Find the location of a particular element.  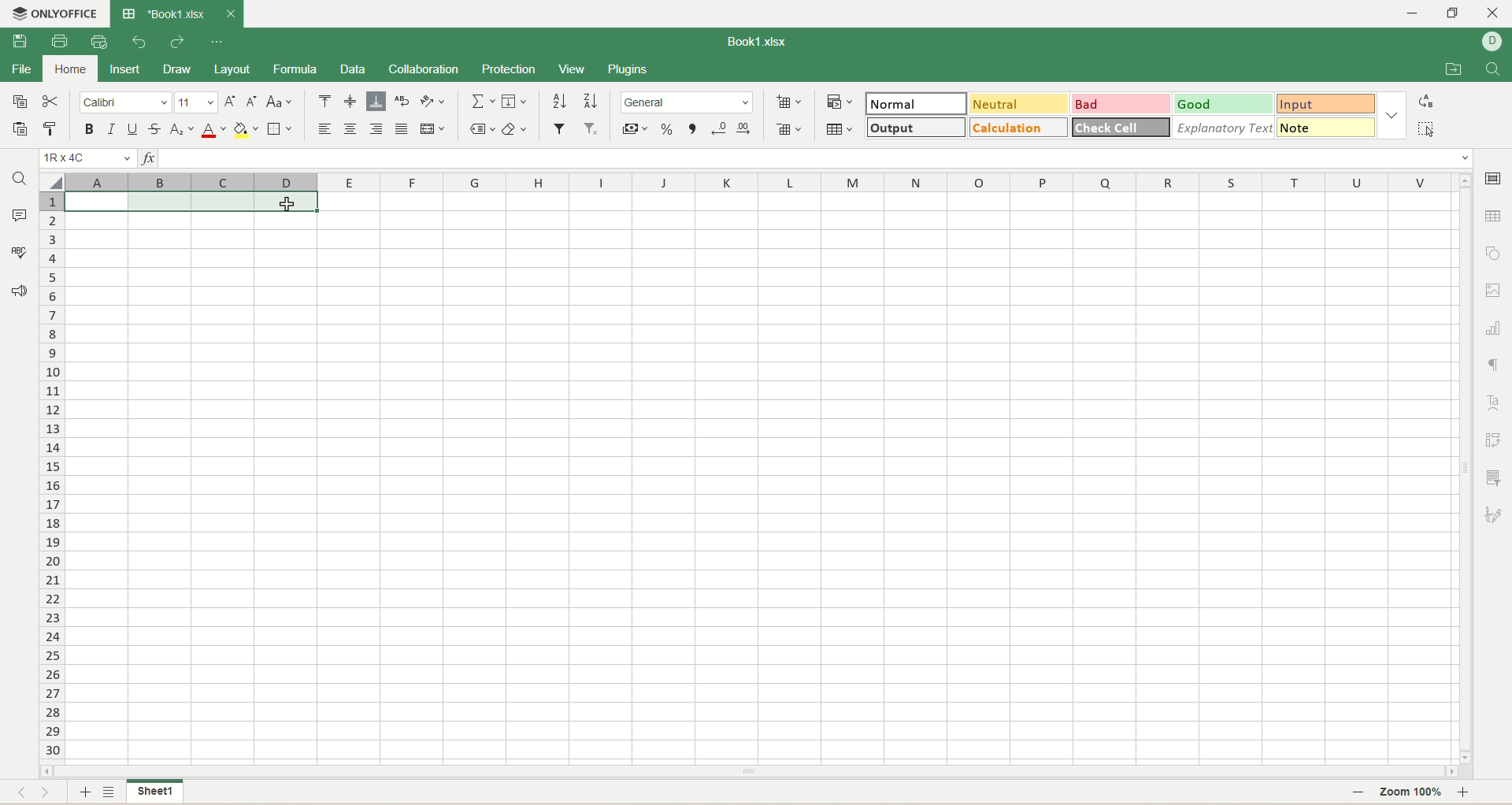

zoom in is located at coordinates (1471, 792).